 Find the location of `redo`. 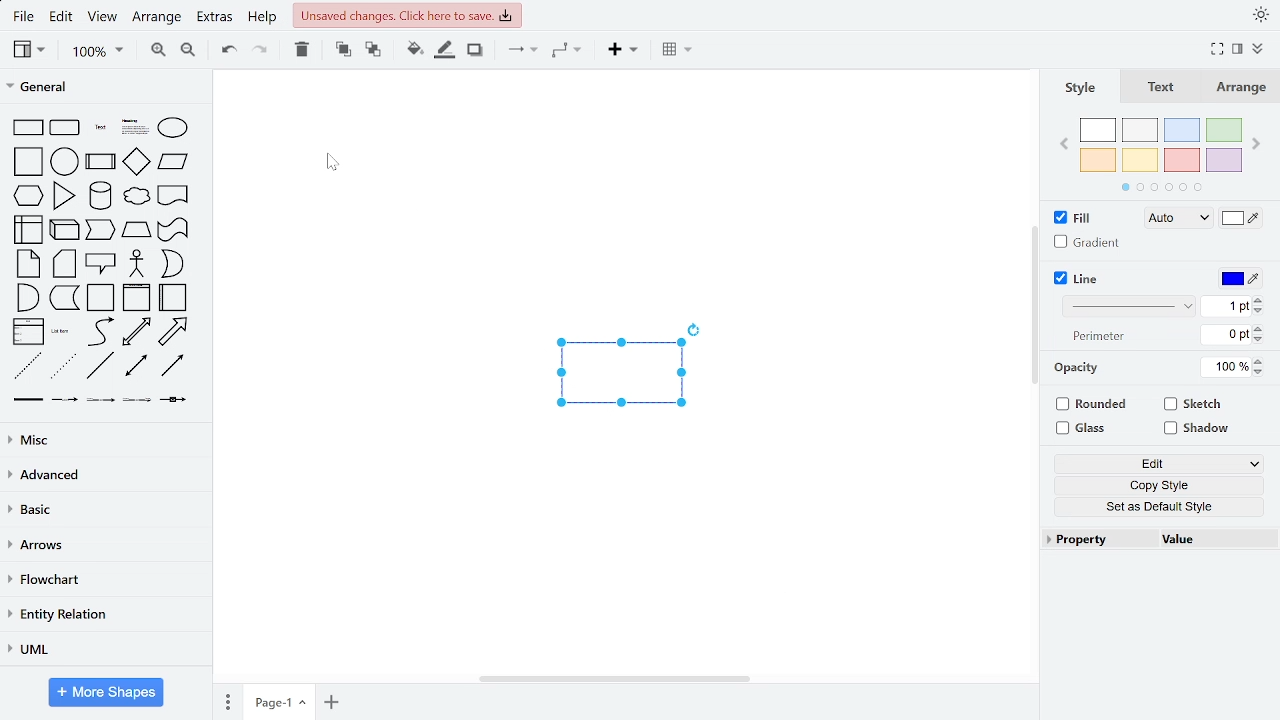

redo is located at coordinates (259, 52).